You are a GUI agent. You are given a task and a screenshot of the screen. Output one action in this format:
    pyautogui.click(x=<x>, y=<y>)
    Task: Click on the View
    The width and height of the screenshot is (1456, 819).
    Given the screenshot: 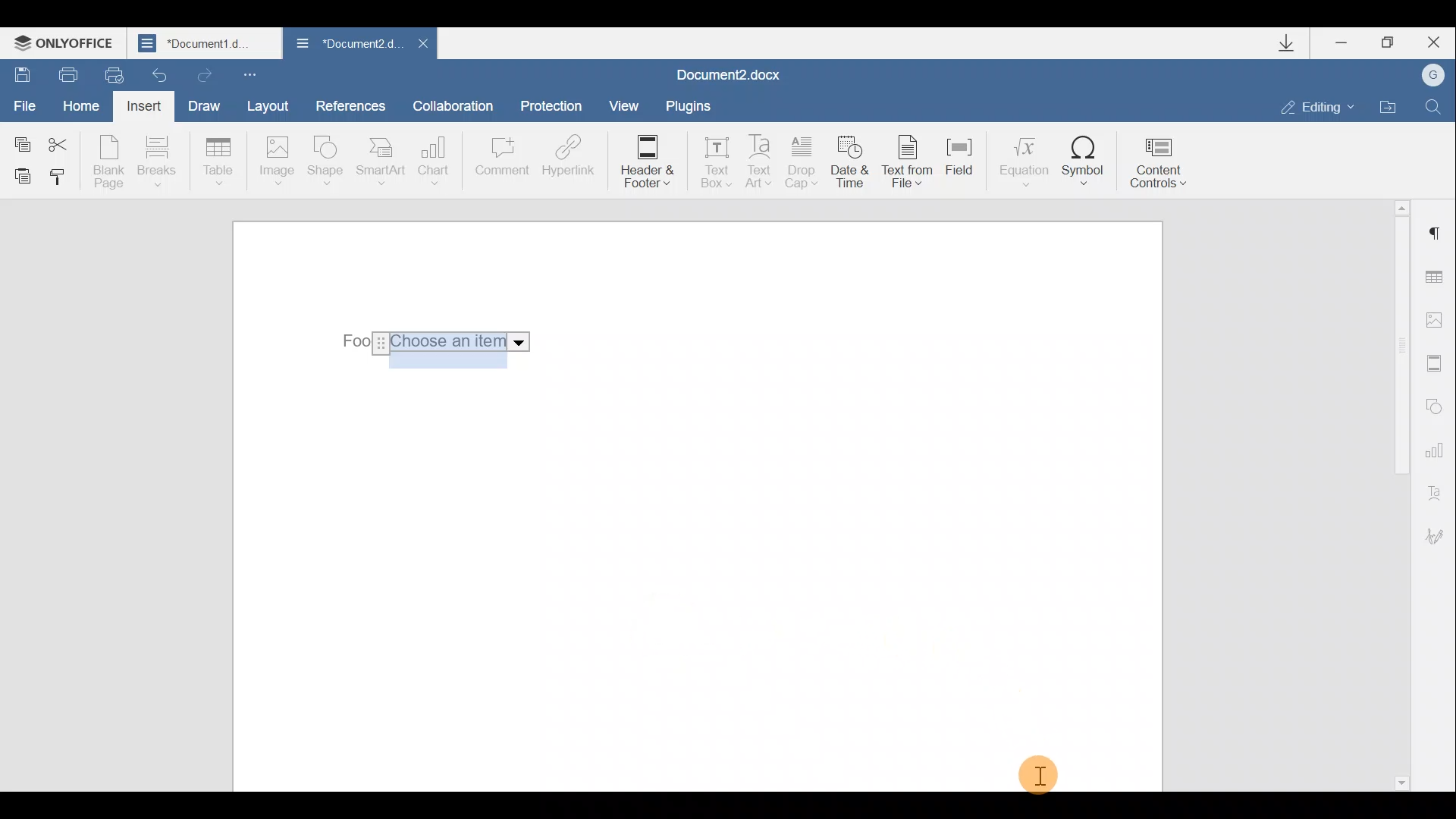 What is the action you would take?
    pyautogui.click(x=625, y=105)
    